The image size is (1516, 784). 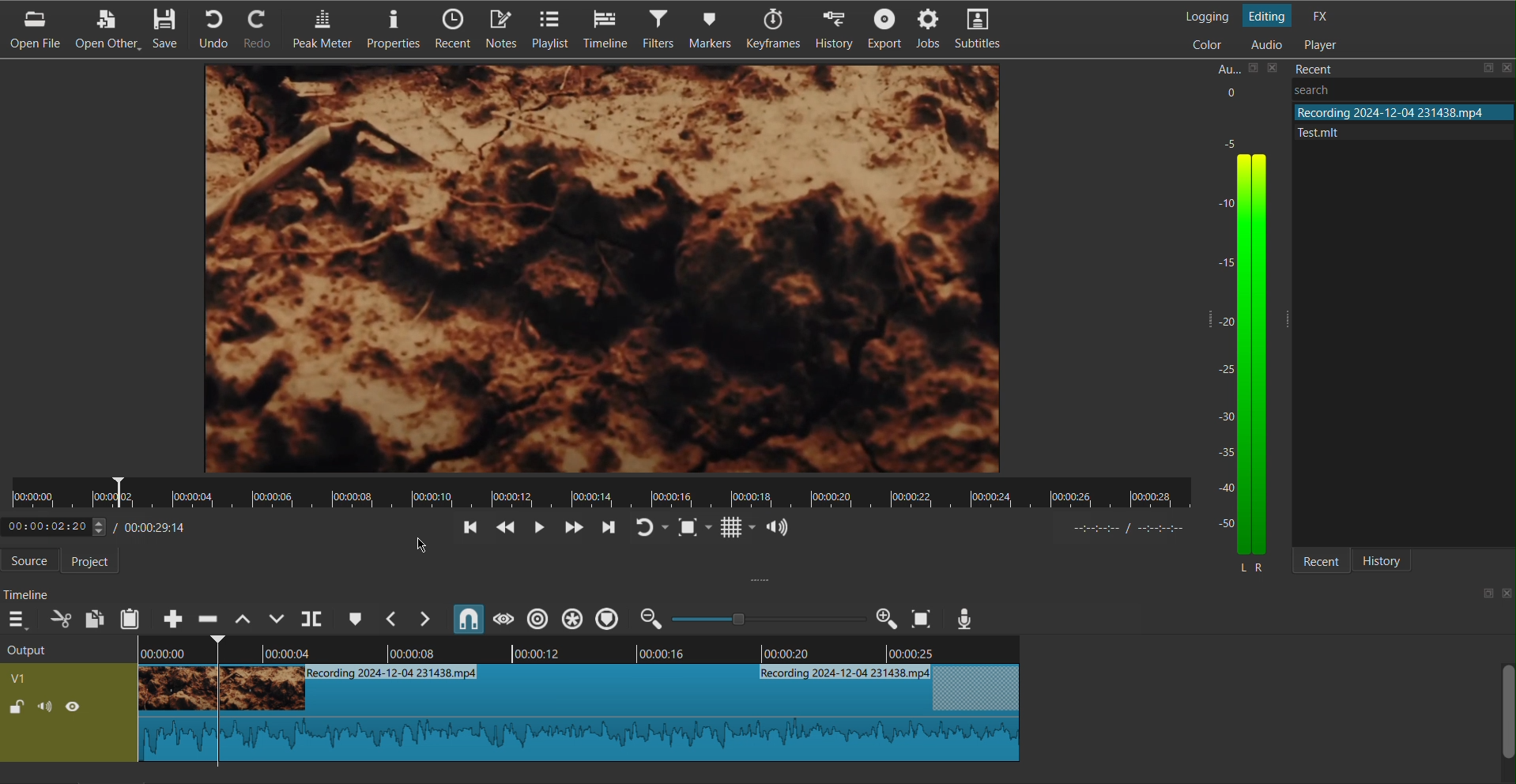 What do you see at coordinates (451, 30) in the screenshot?
I see `Recent` at bounding box center [451, 30].